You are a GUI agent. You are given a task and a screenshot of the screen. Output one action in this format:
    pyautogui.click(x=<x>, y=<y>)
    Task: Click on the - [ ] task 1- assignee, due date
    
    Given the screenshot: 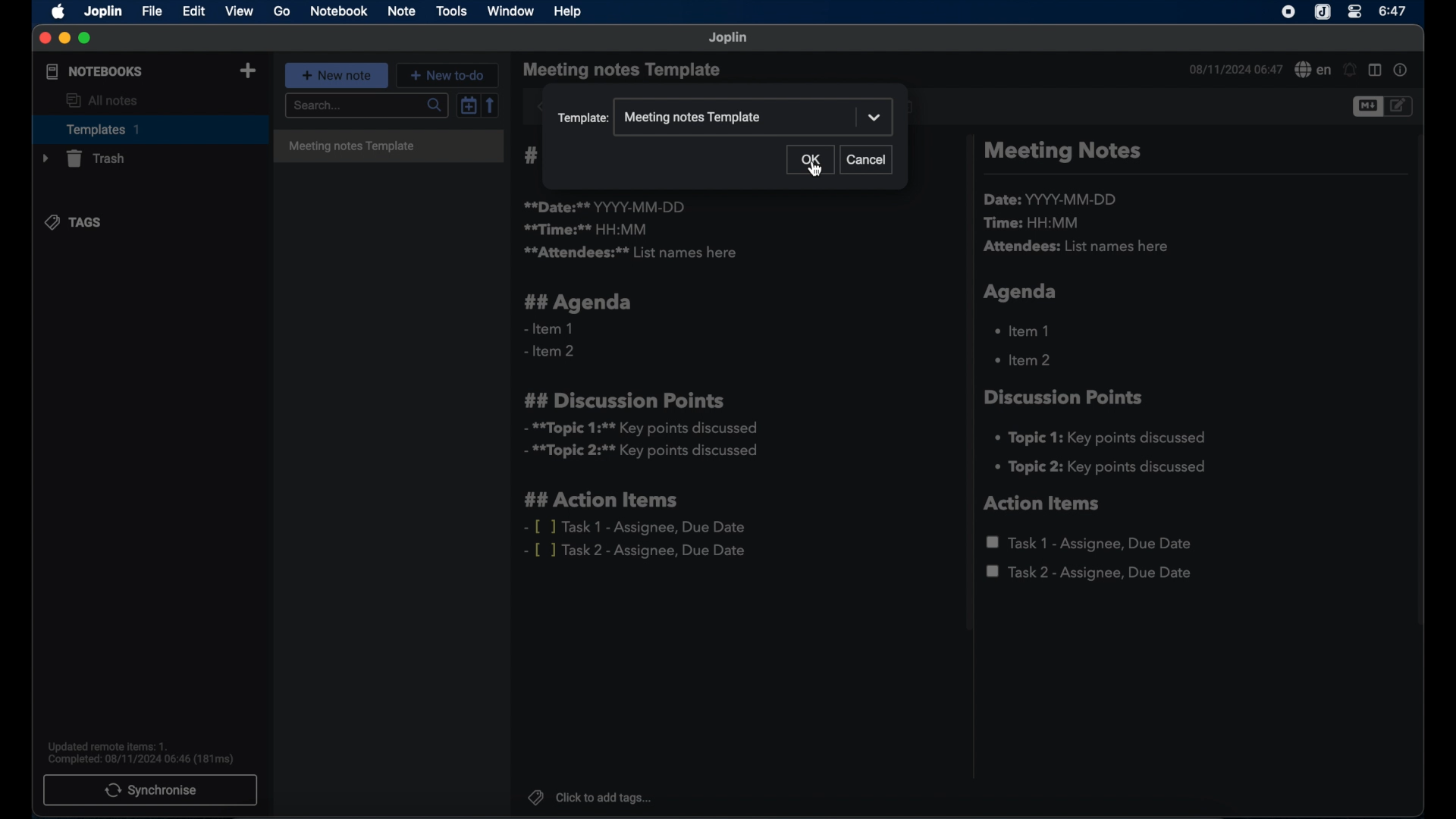 What is the action you would take?
    pyautogui.click(x=636, y=527)
    